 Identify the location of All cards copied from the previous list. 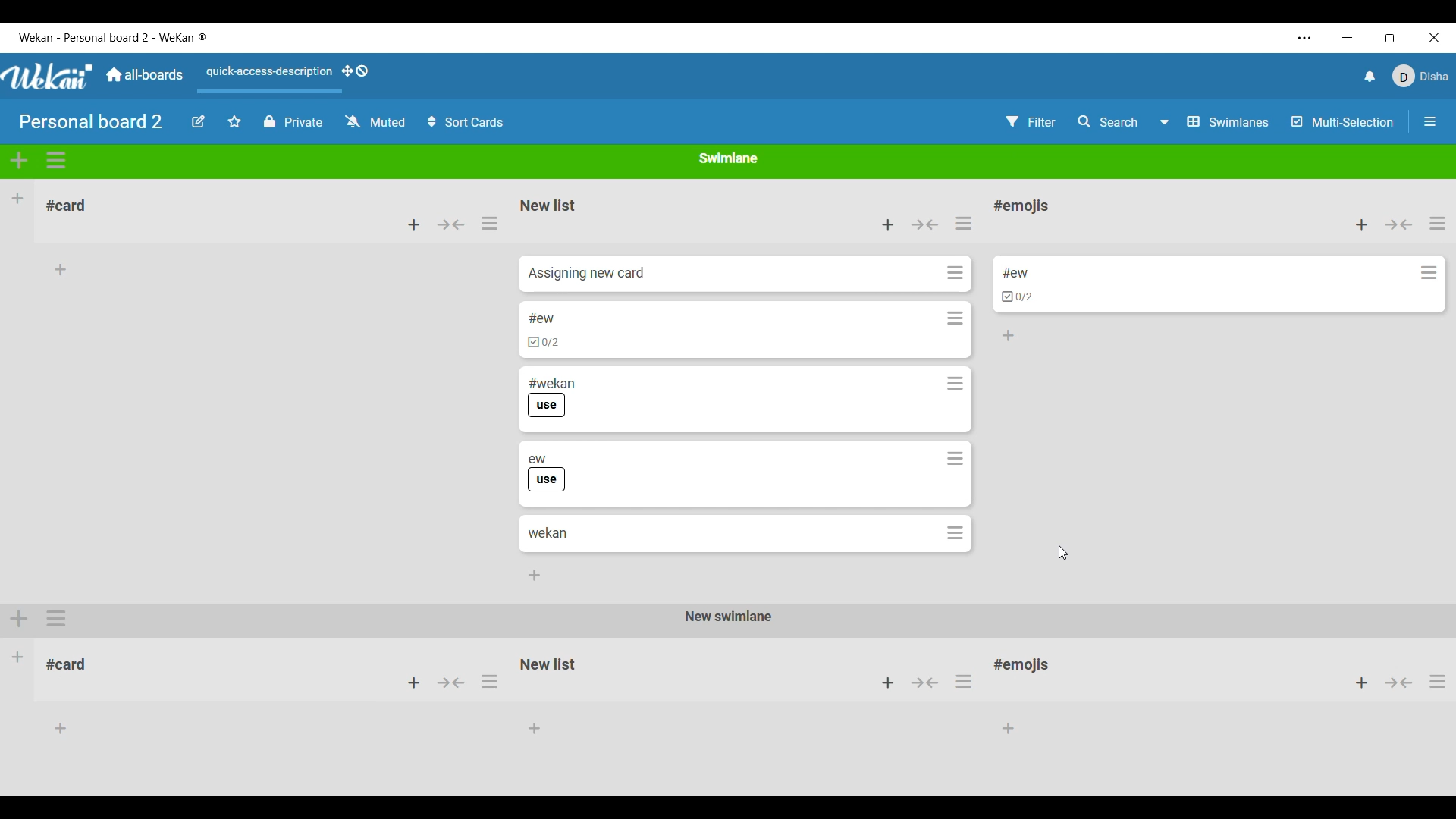
(746, 429).